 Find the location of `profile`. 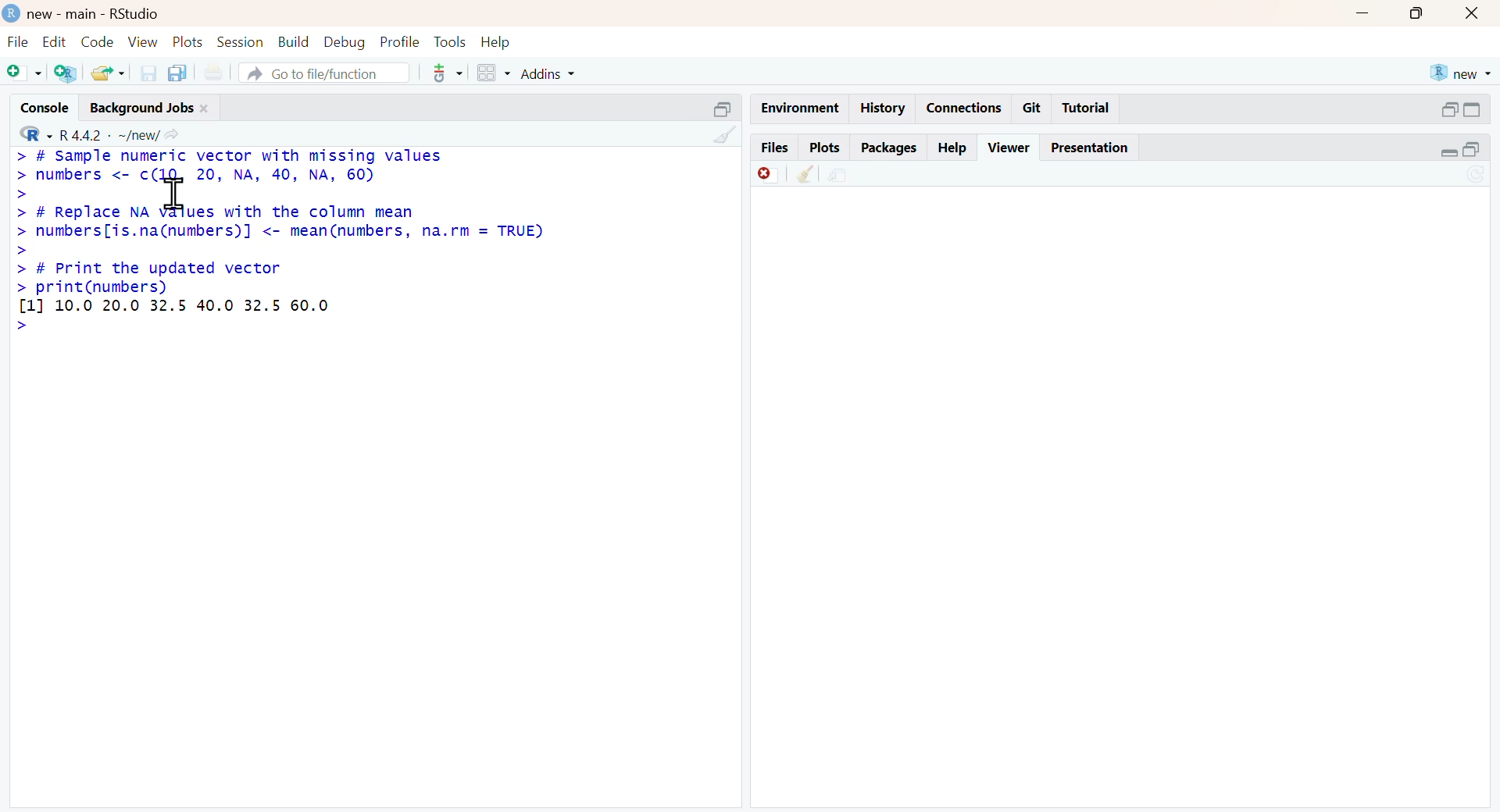

profile is located at coordinates (402, 42).